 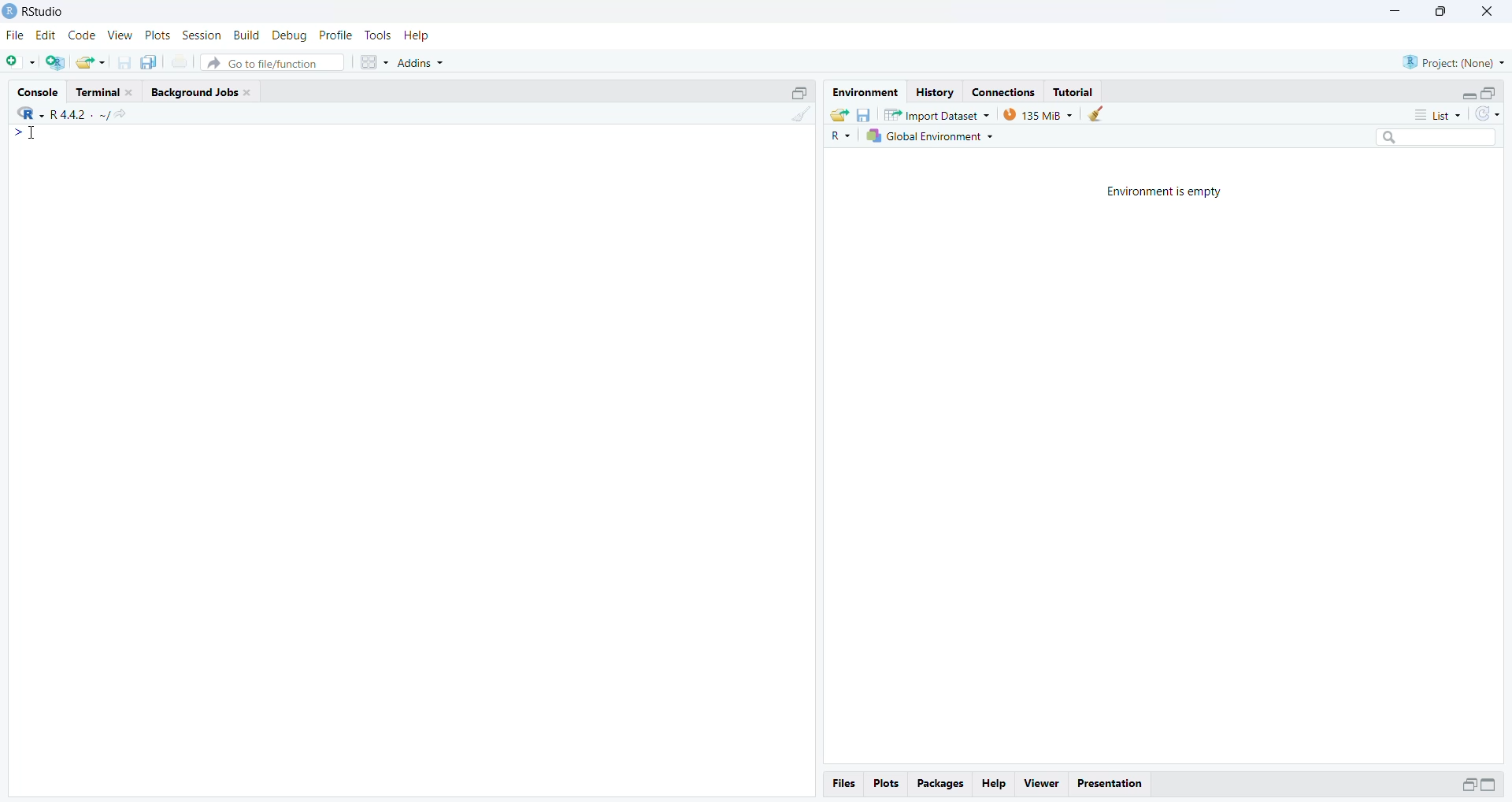 What do you see at coordinates (425, 59) in the screenshot?
I see `Addins` at bounding box center [425, 59].